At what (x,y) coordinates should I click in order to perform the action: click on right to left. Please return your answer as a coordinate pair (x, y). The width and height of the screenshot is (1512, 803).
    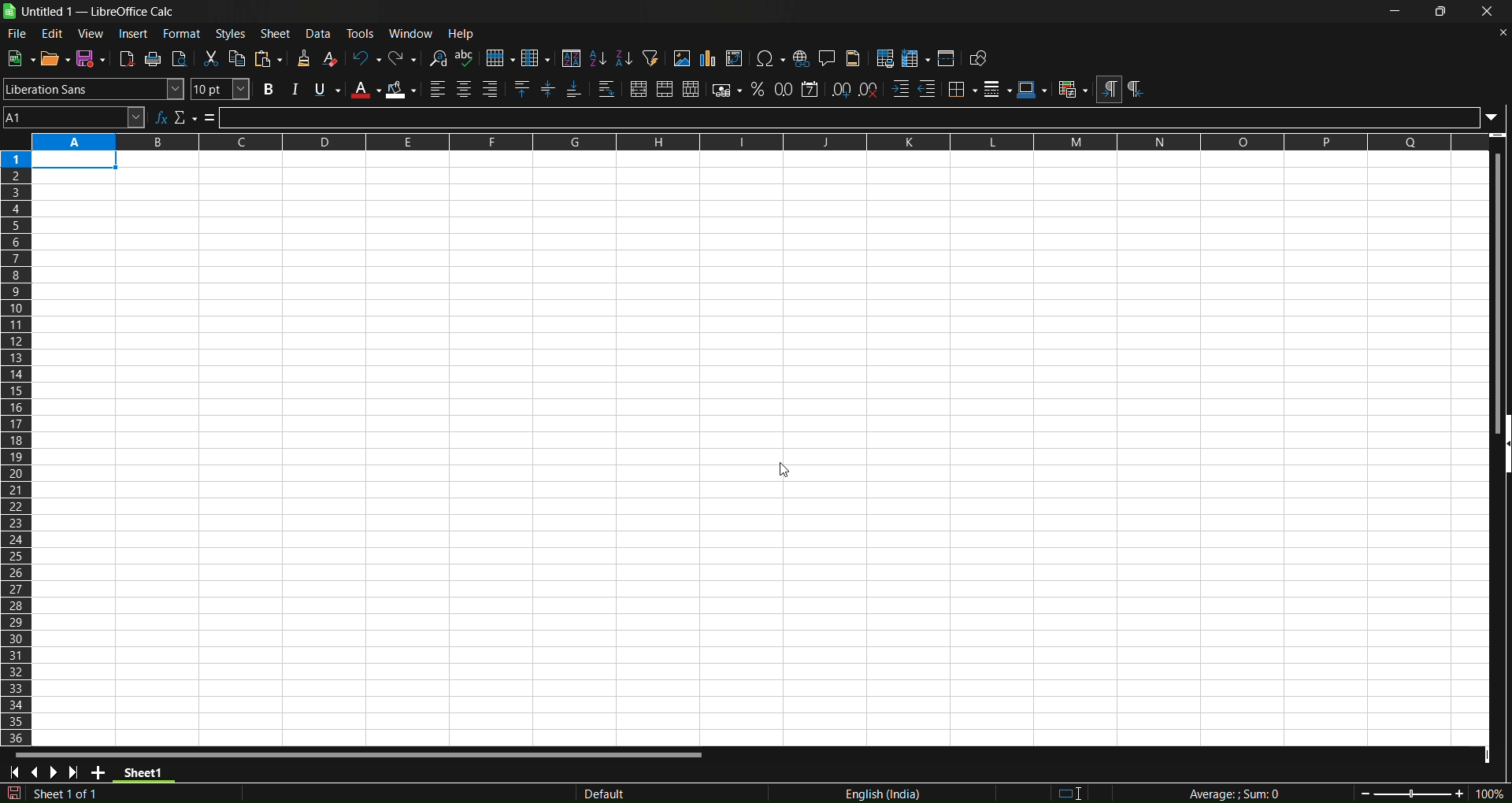
    Looking at the image, I should click on (1135, 90).